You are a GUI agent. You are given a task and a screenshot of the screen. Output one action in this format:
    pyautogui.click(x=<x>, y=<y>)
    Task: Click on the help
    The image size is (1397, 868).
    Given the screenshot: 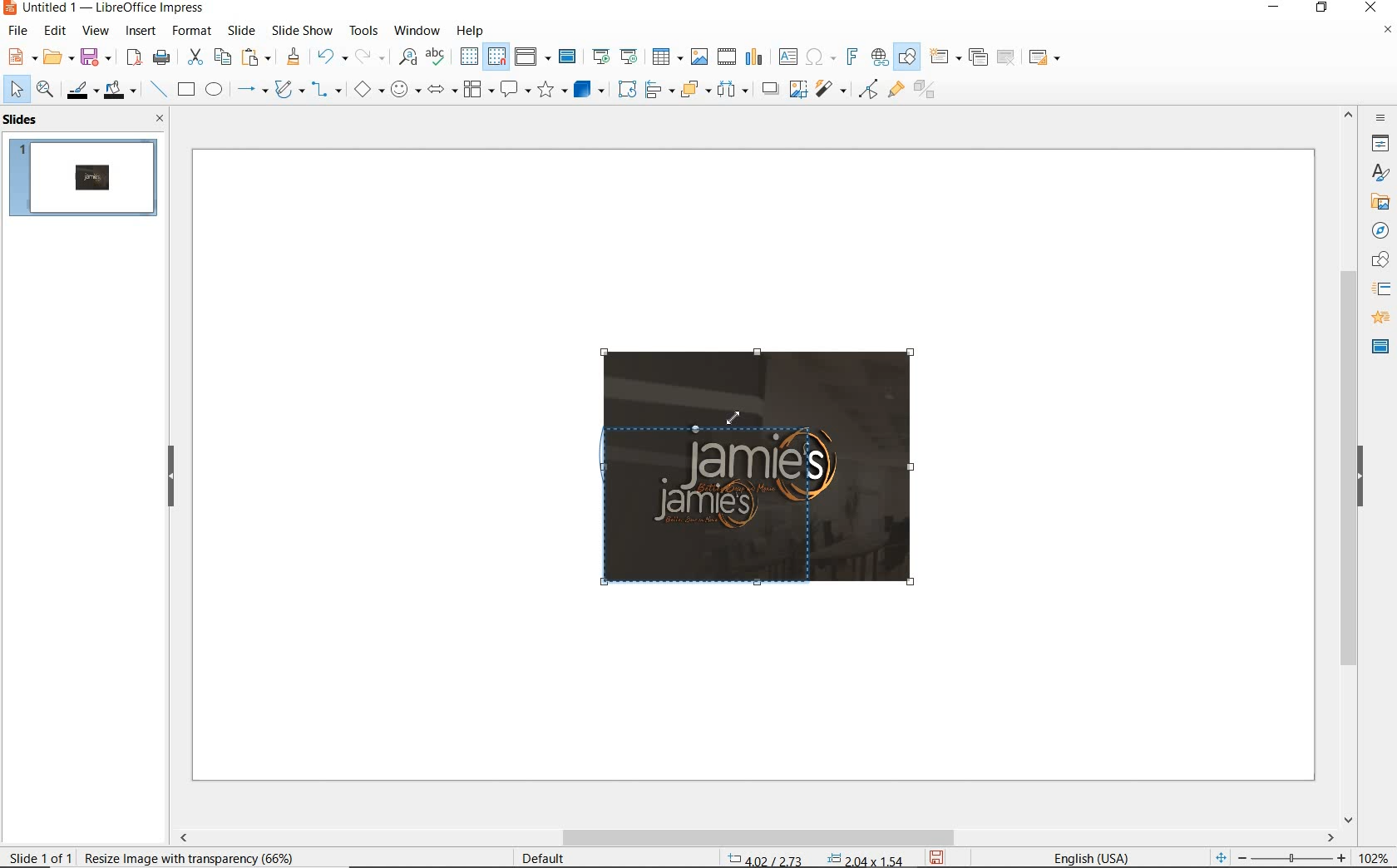 What is the action you would take?
    pyautogui.click(x=472, y=28)
    